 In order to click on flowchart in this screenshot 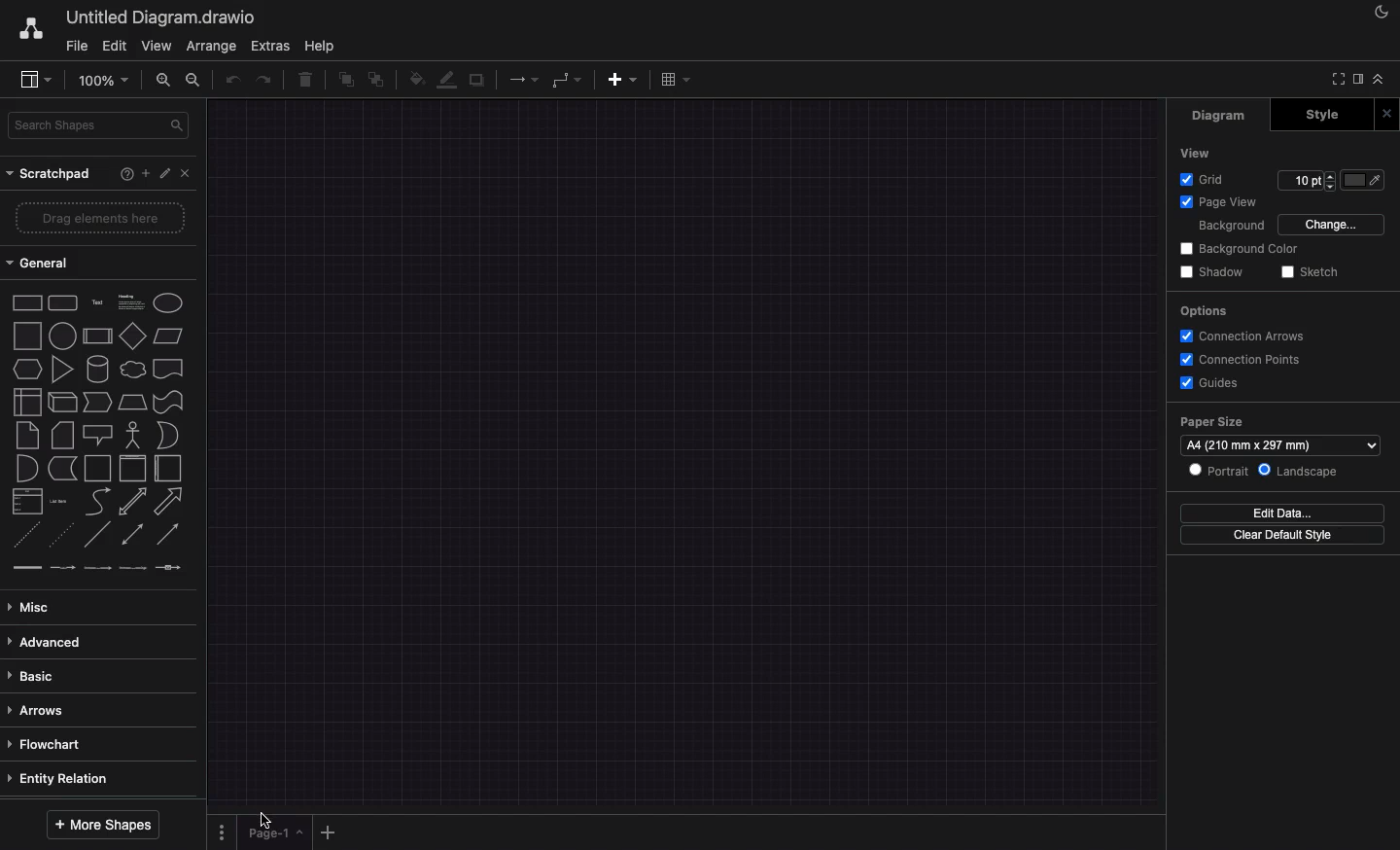, I will do `click(48, 744)`.